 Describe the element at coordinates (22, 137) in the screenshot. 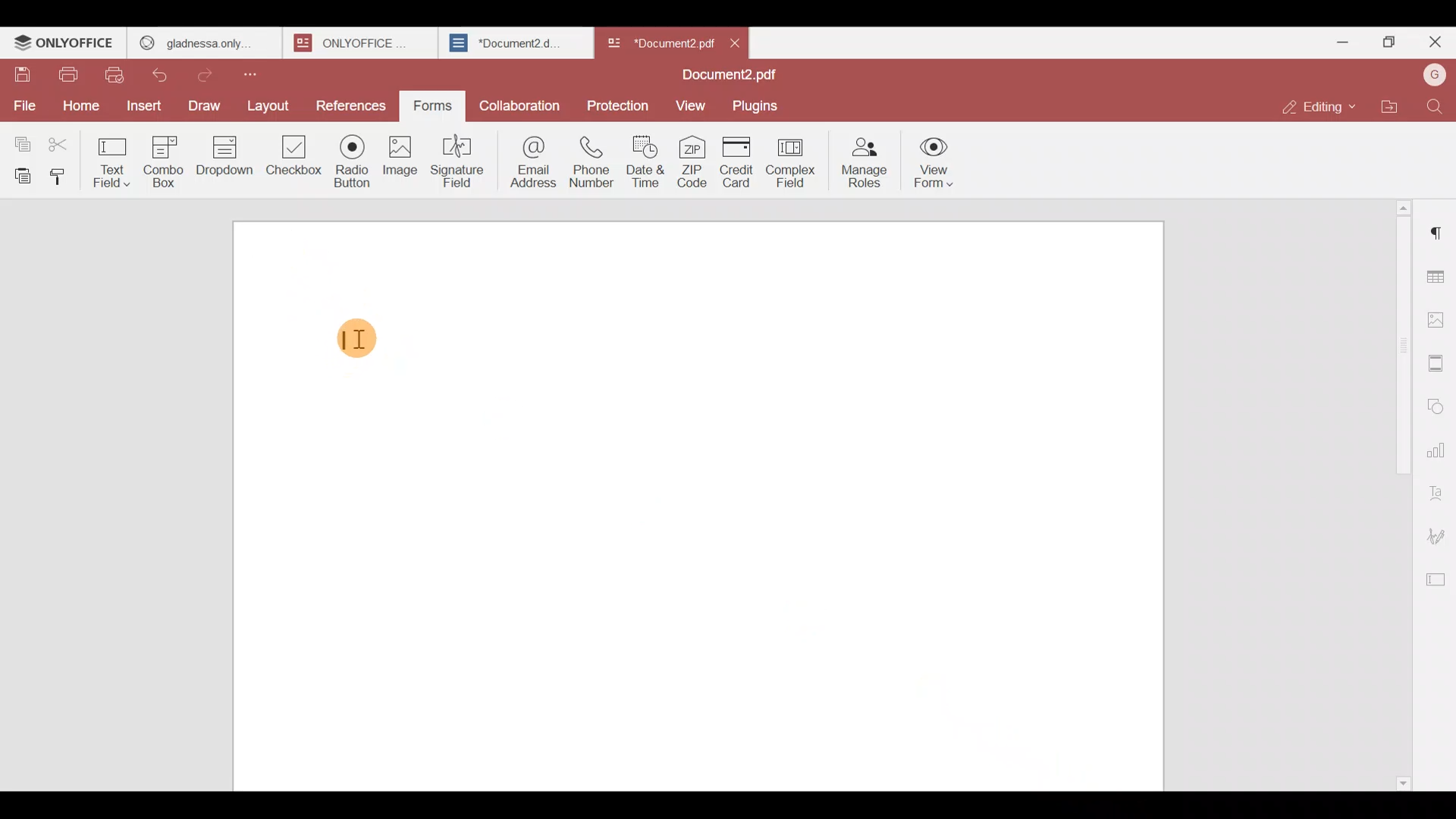

I see `Copy` at that location.